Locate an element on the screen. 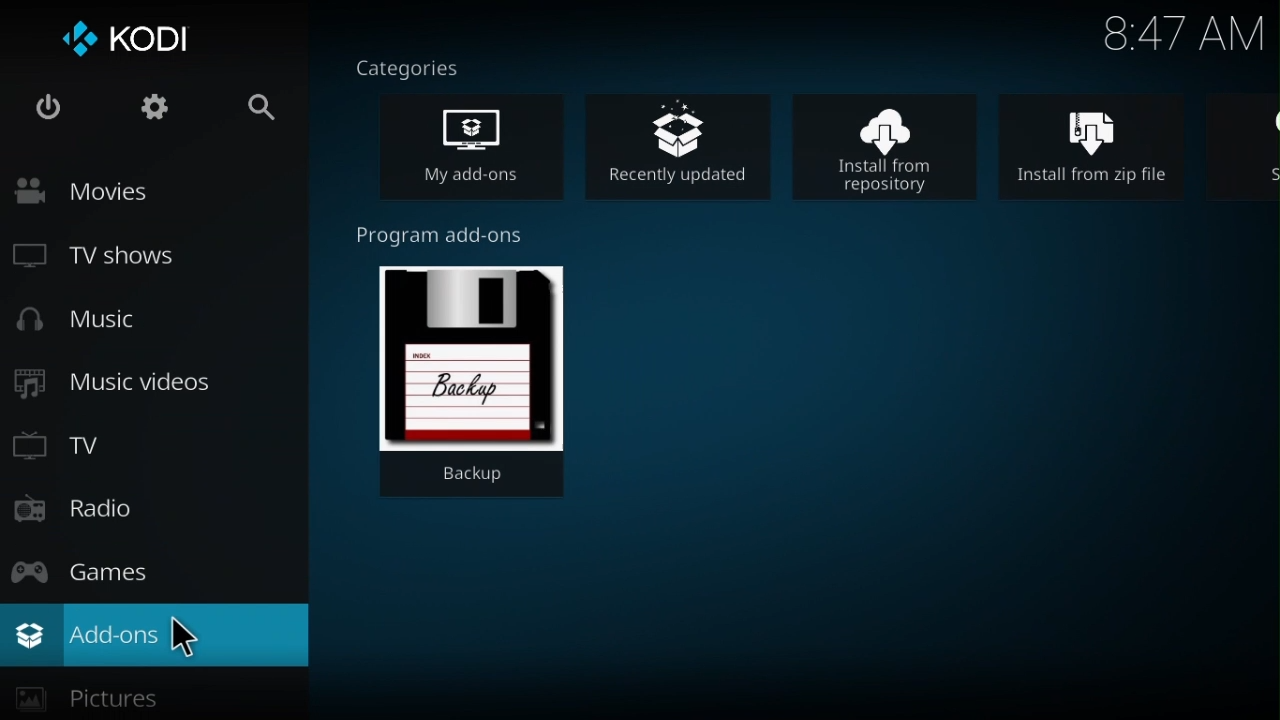 Image resolution: width=1280 pixels, height=720 pixels. Movies is located at coordinates (128, 191).